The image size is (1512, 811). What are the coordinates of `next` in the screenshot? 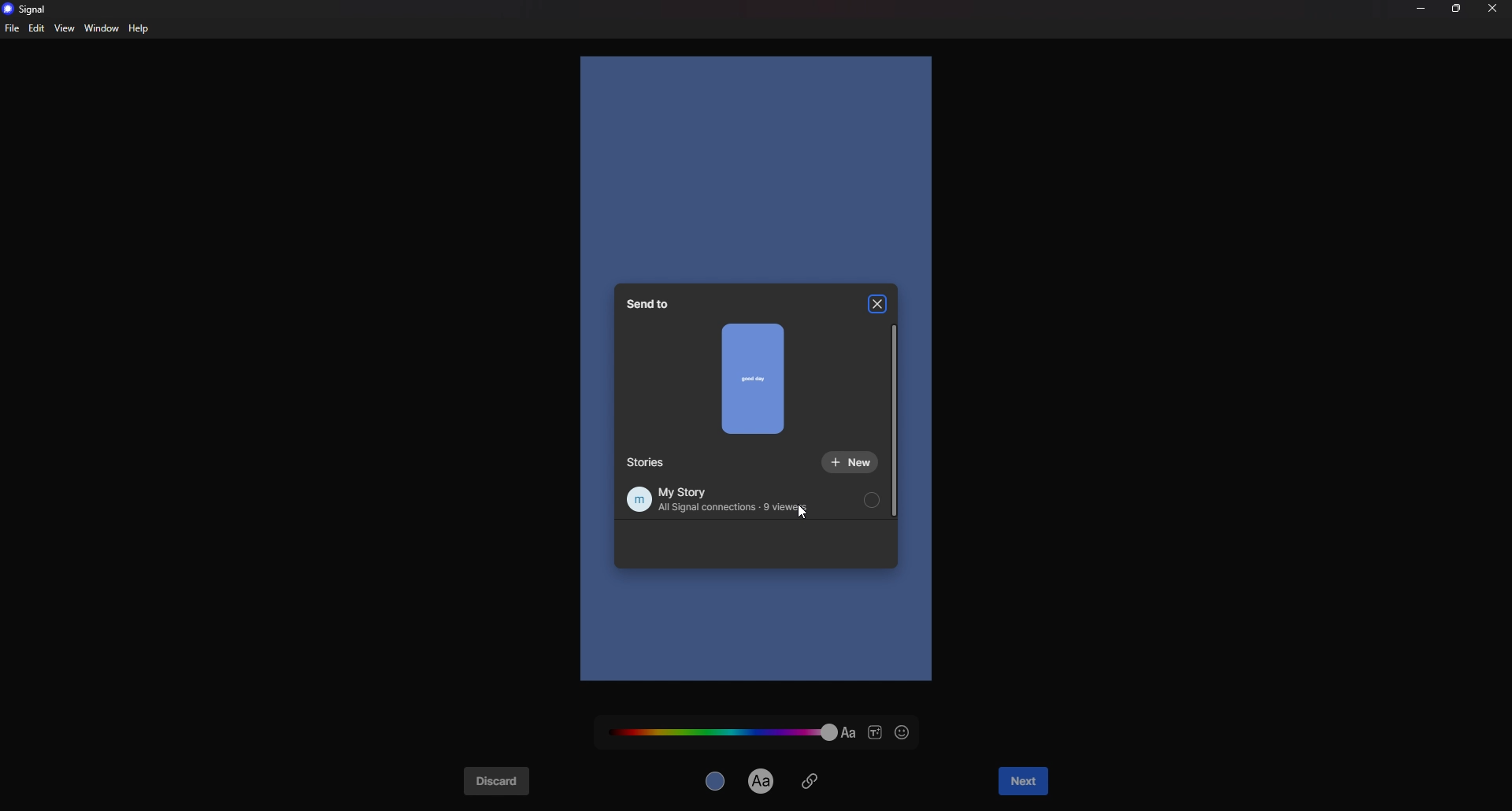 It's located at (1025, 782).